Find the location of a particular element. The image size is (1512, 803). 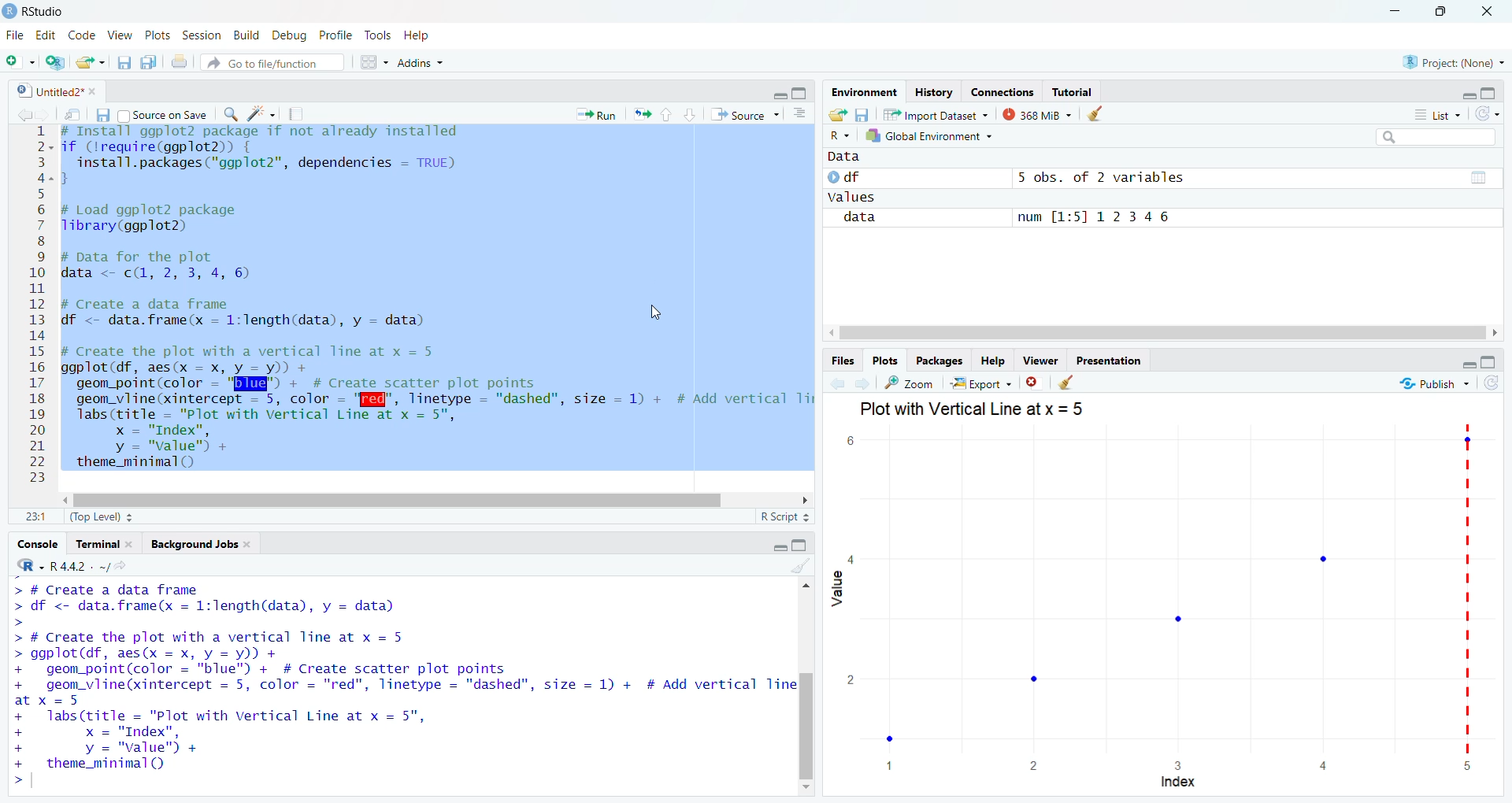

notes is located at coordinates (301, 115).